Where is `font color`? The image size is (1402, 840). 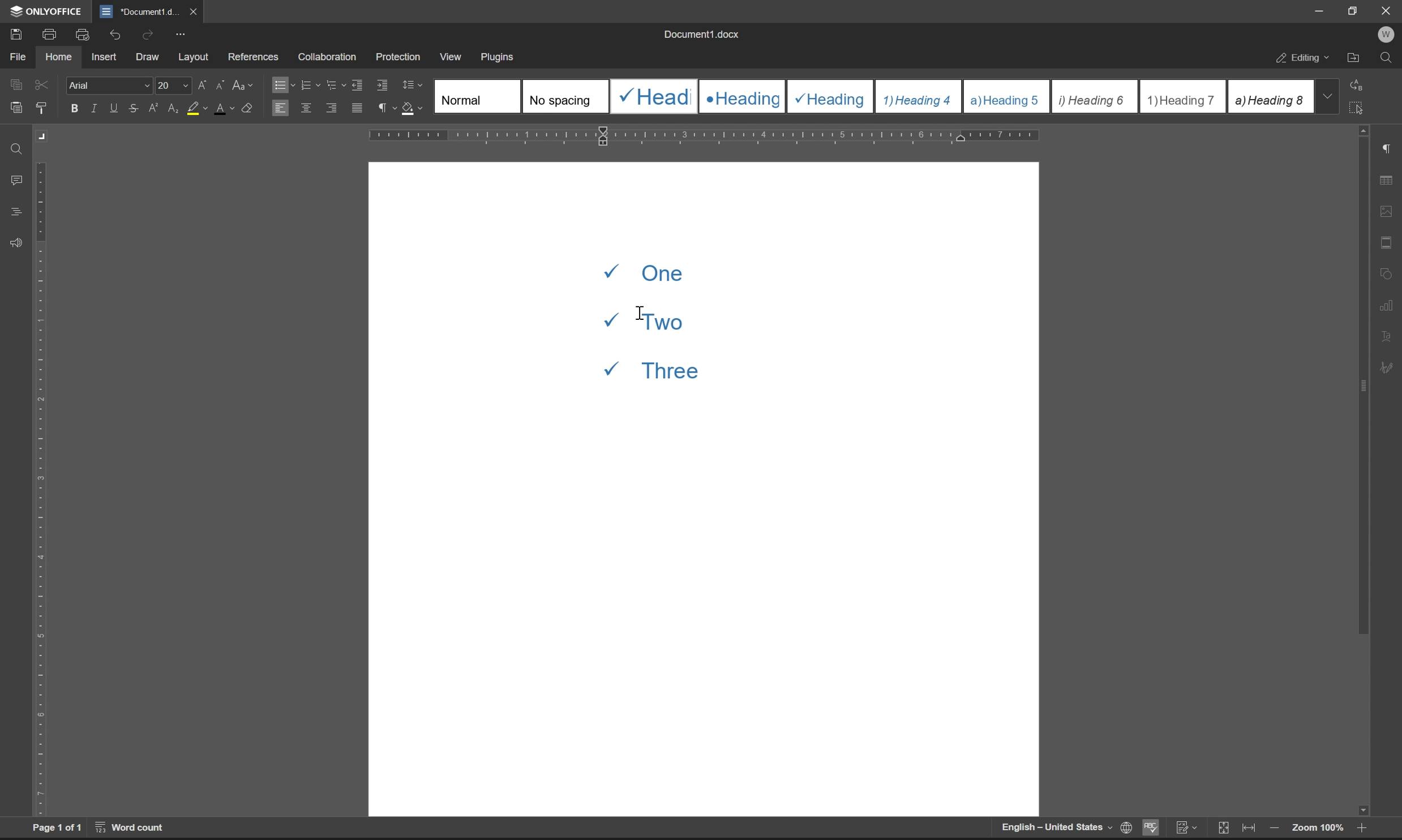 font color is located at coordinates (225, 108).